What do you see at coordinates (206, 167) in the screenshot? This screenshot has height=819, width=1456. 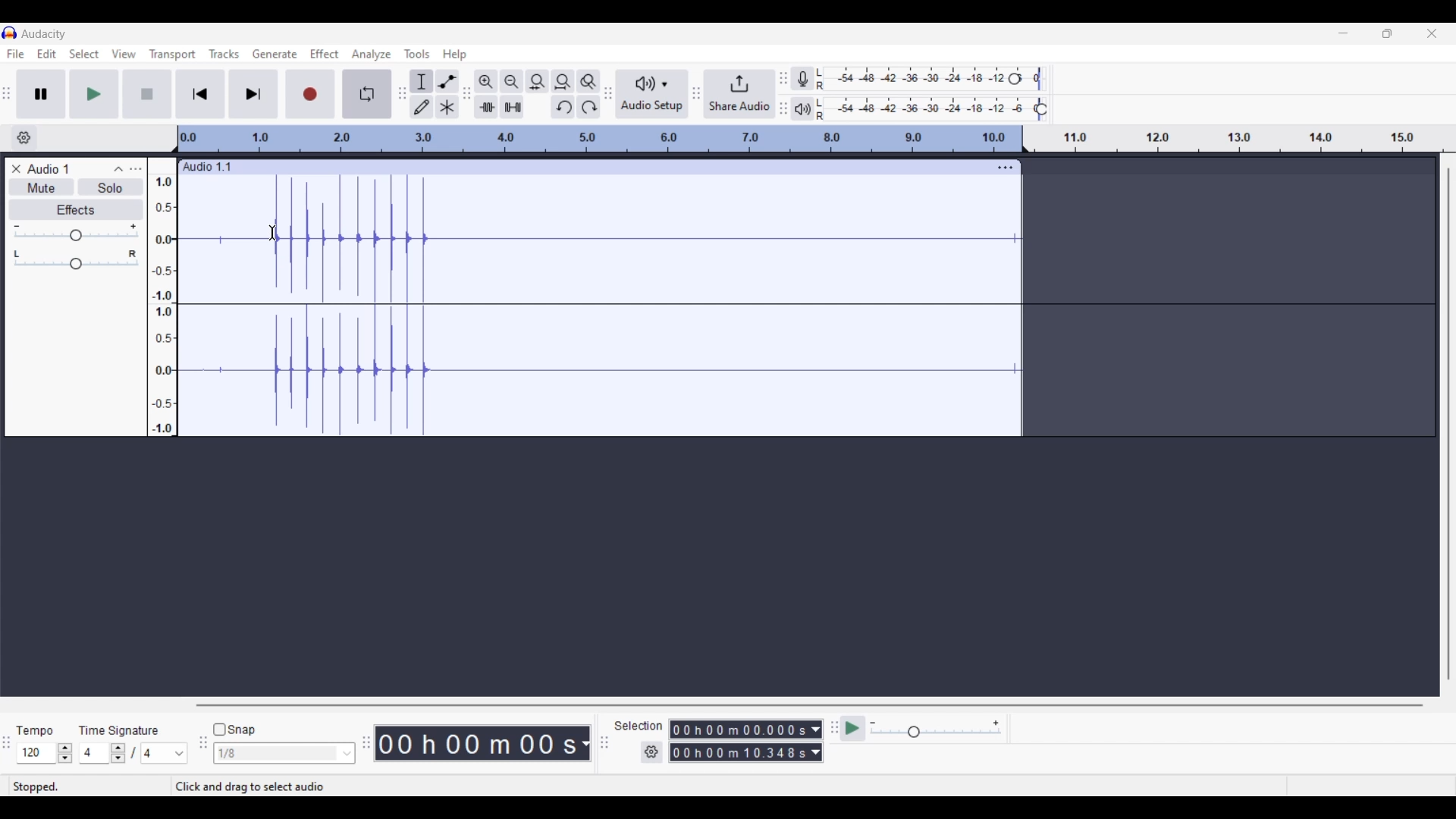 I see `Name of recorded audio` at bounding box center [206, 167].